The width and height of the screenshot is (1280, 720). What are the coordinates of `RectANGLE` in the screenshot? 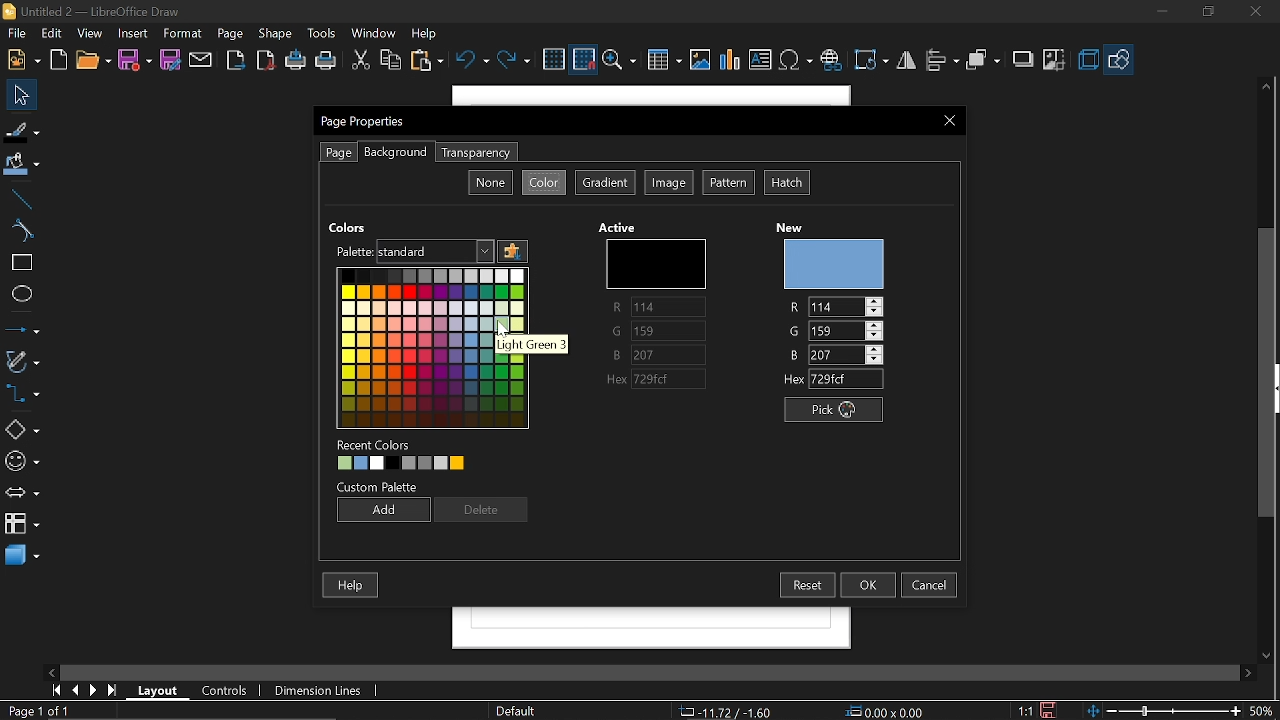 It's located at (19, 263).